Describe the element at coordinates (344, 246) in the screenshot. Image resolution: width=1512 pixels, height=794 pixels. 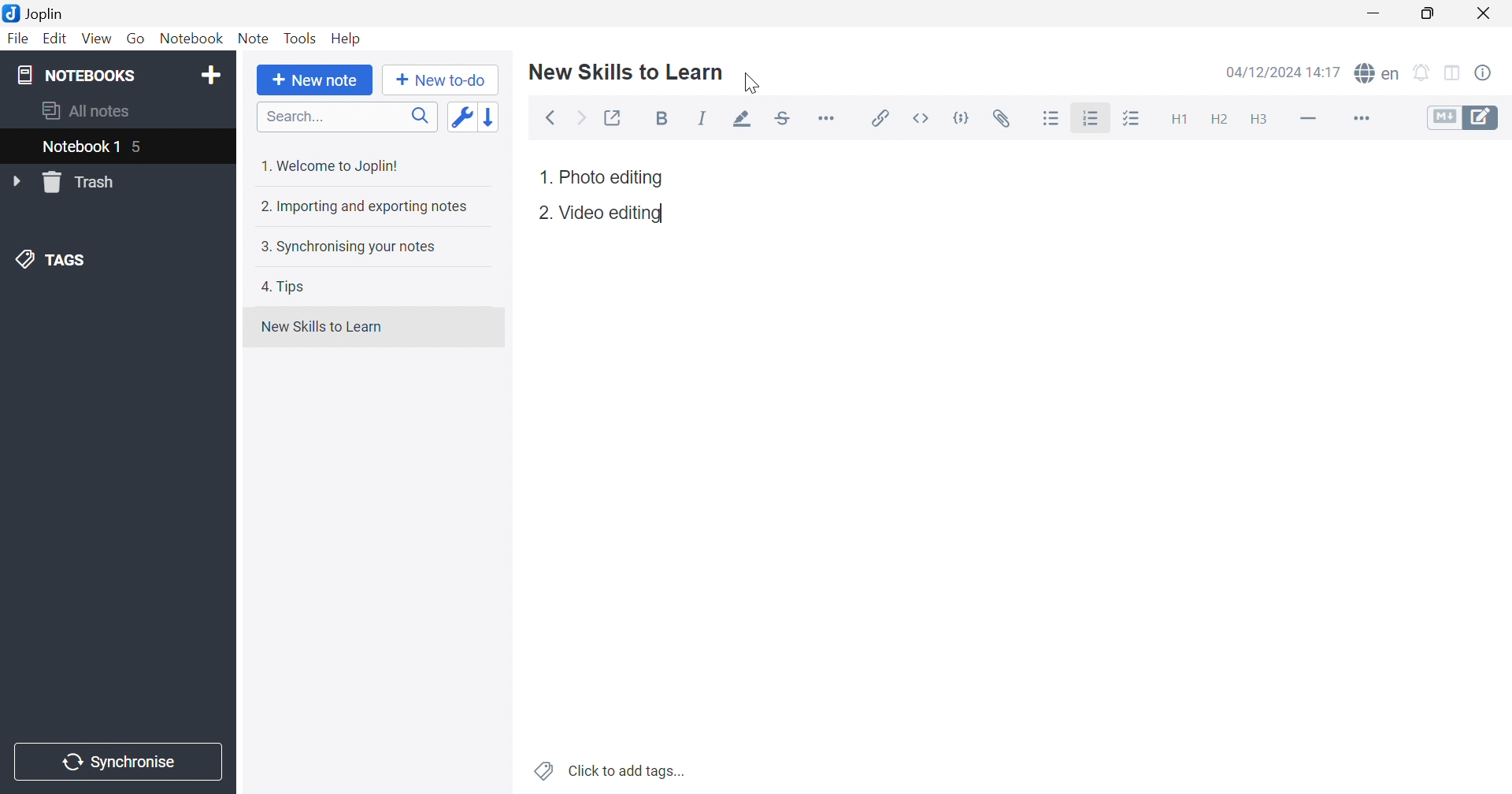
I see `3. Synchronising your notes` at that location.